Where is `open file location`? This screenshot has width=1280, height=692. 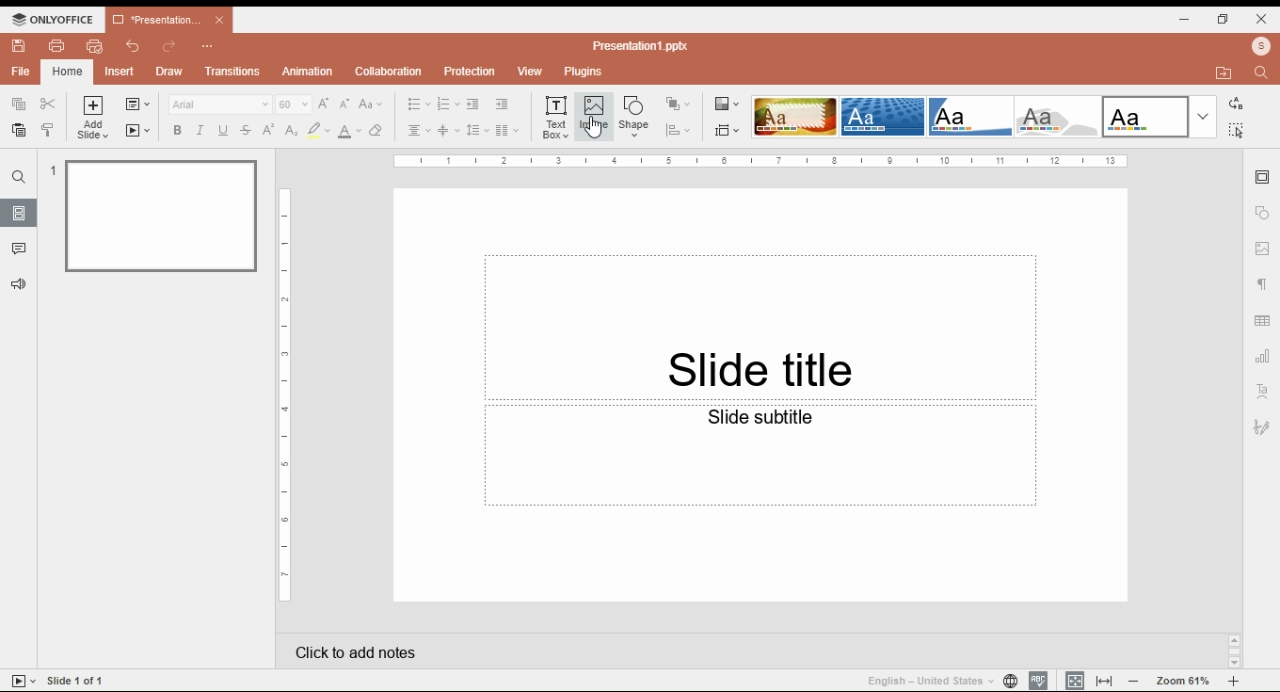 open file location is located at coordinates (1224, 73).